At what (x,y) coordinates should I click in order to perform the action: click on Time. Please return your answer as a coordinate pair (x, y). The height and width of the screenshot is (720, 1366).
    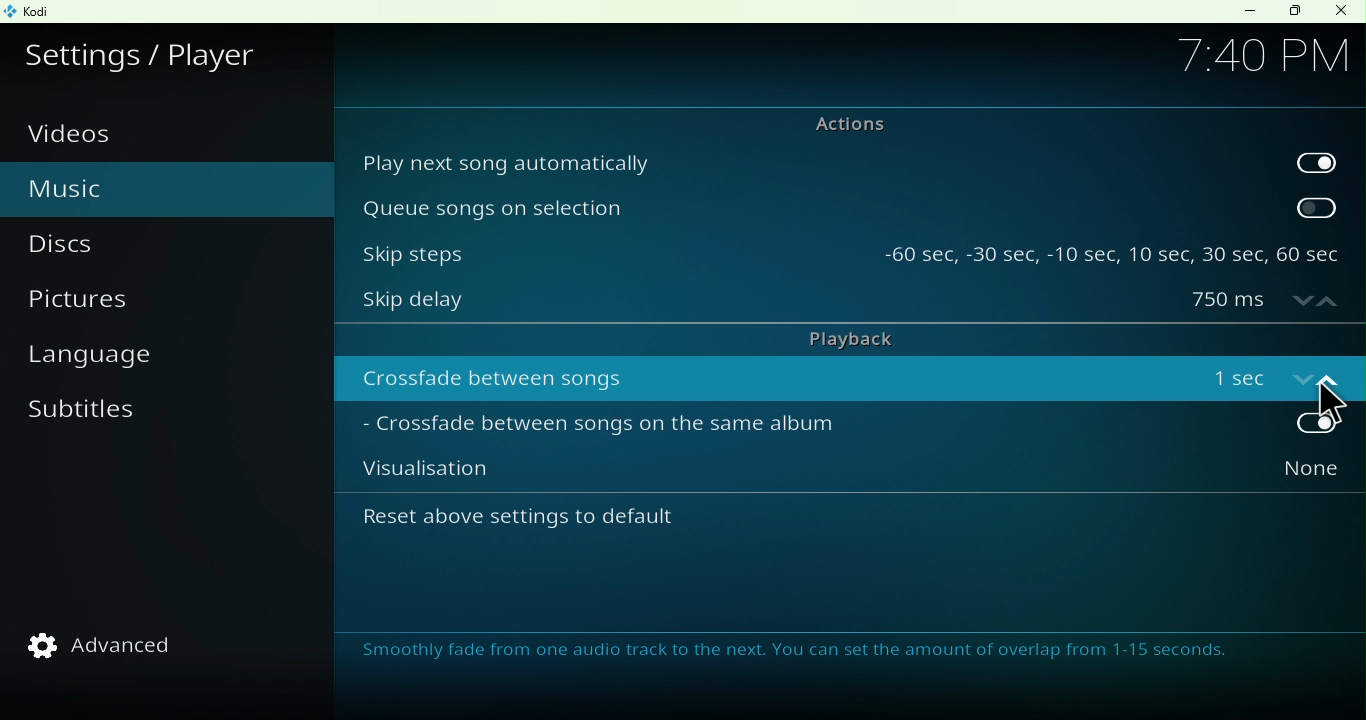
    Looking at the image, I should click on (1262, 53).